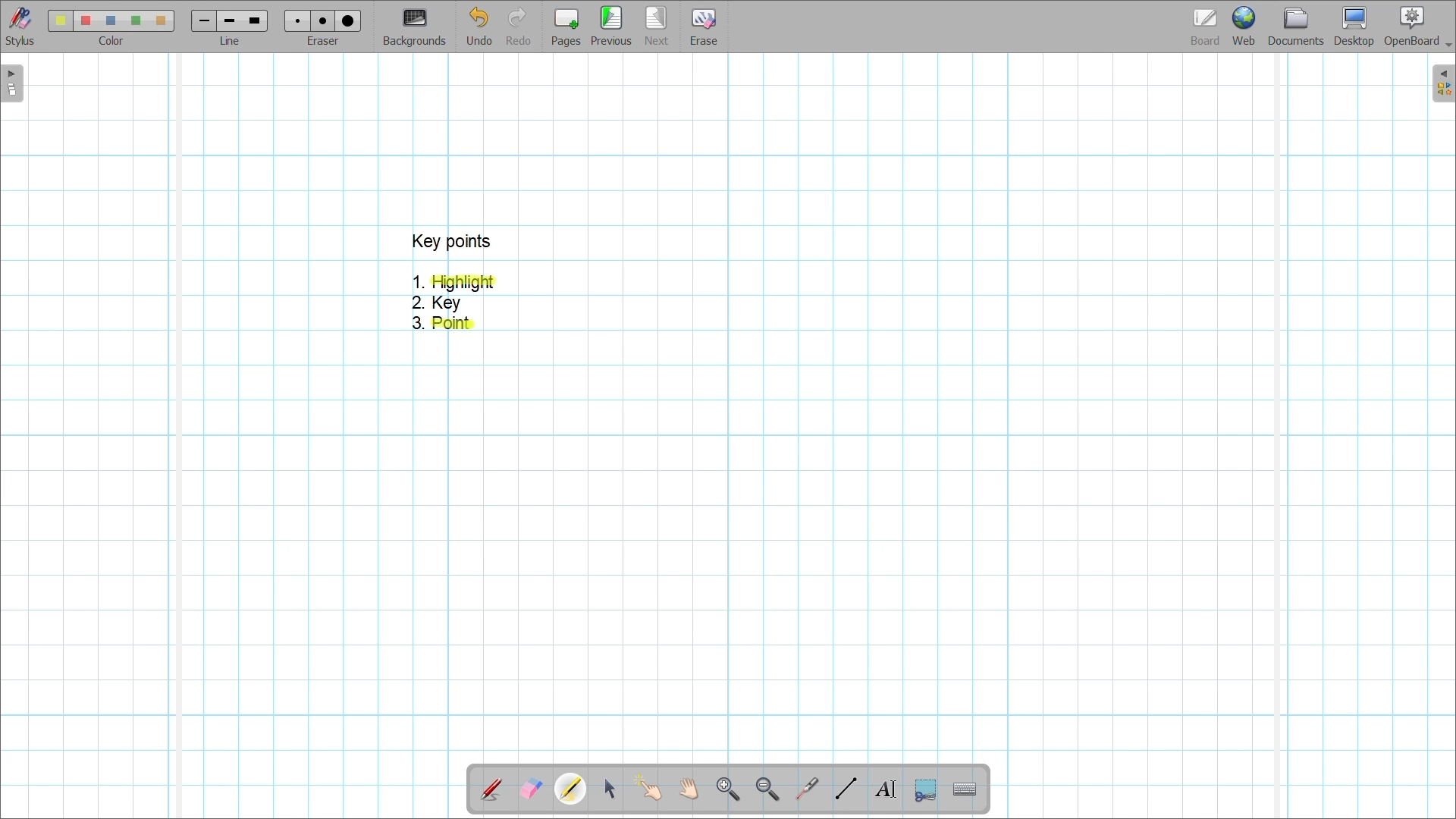 Image resolution: width=1456 pixels, height=819 pixels. What do you see at coordinates (297, 20) in the screenshot?
I see `Eraser 1` at bounding box center [297, 20].